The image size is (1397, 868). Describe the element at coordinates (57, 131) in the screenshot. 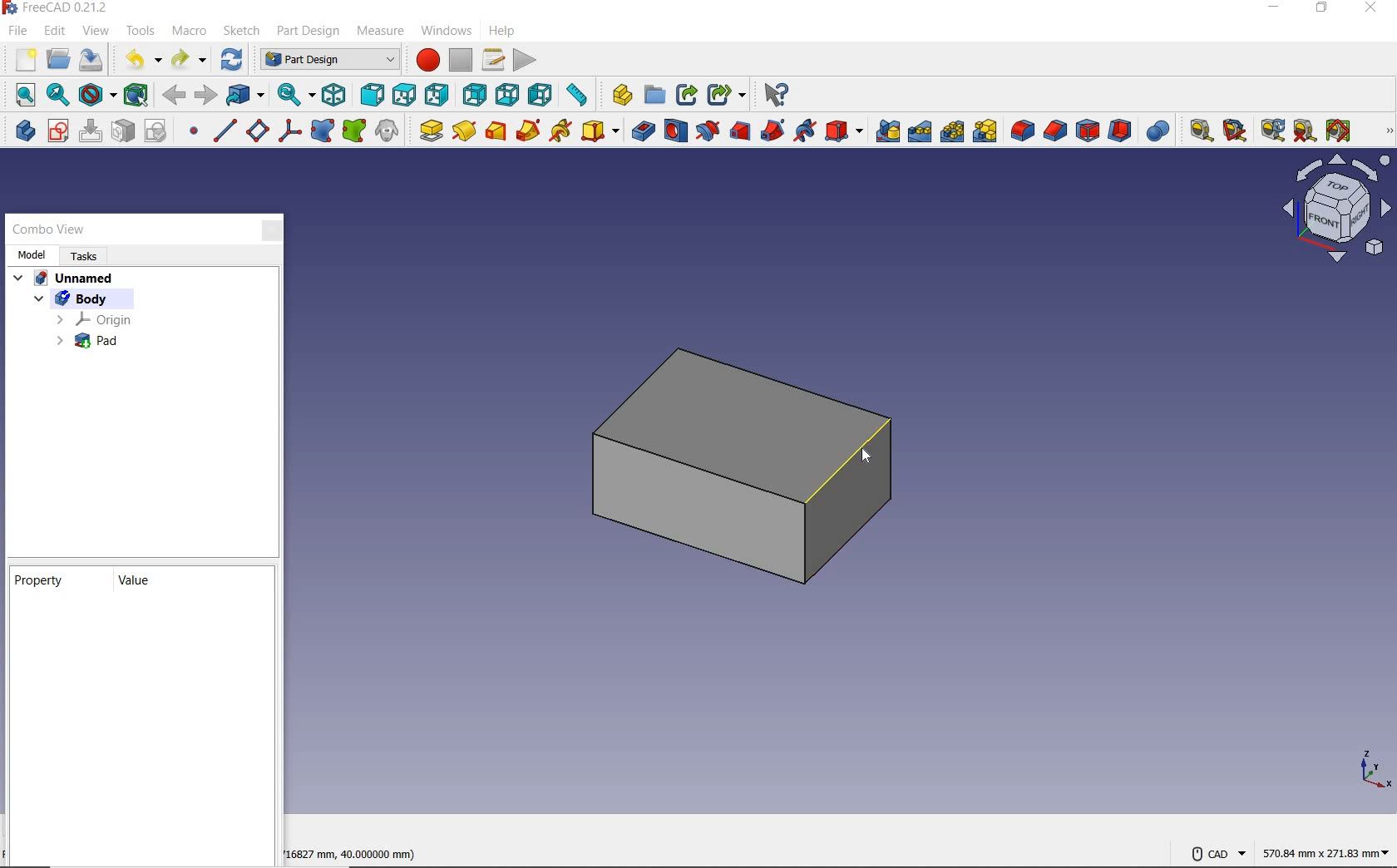

I see `create sketch` at that location.